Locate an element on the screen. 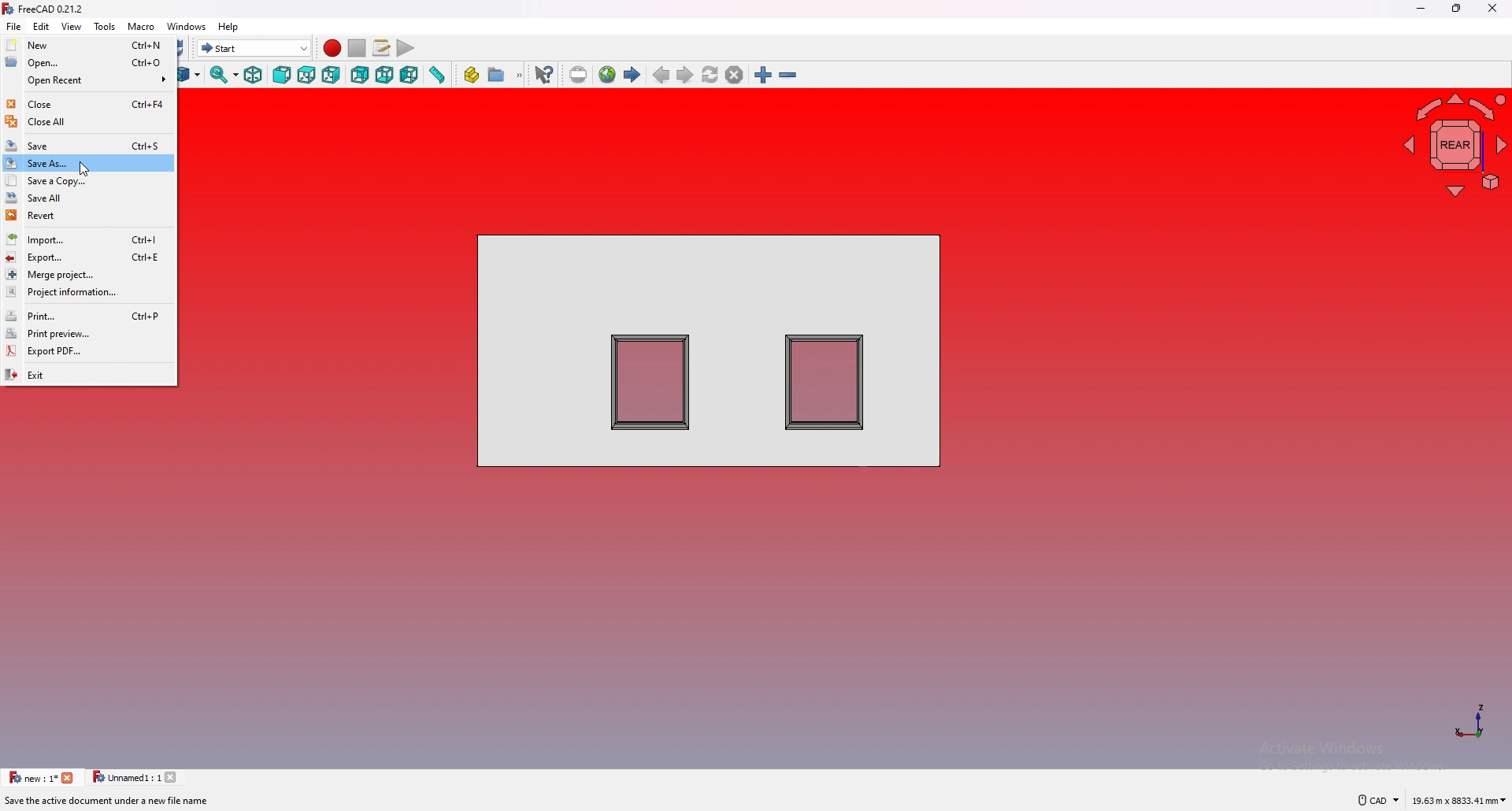 Image resolution: width=1512 pixels, height=811 pixels. make group is located at coordinates (506, 75).